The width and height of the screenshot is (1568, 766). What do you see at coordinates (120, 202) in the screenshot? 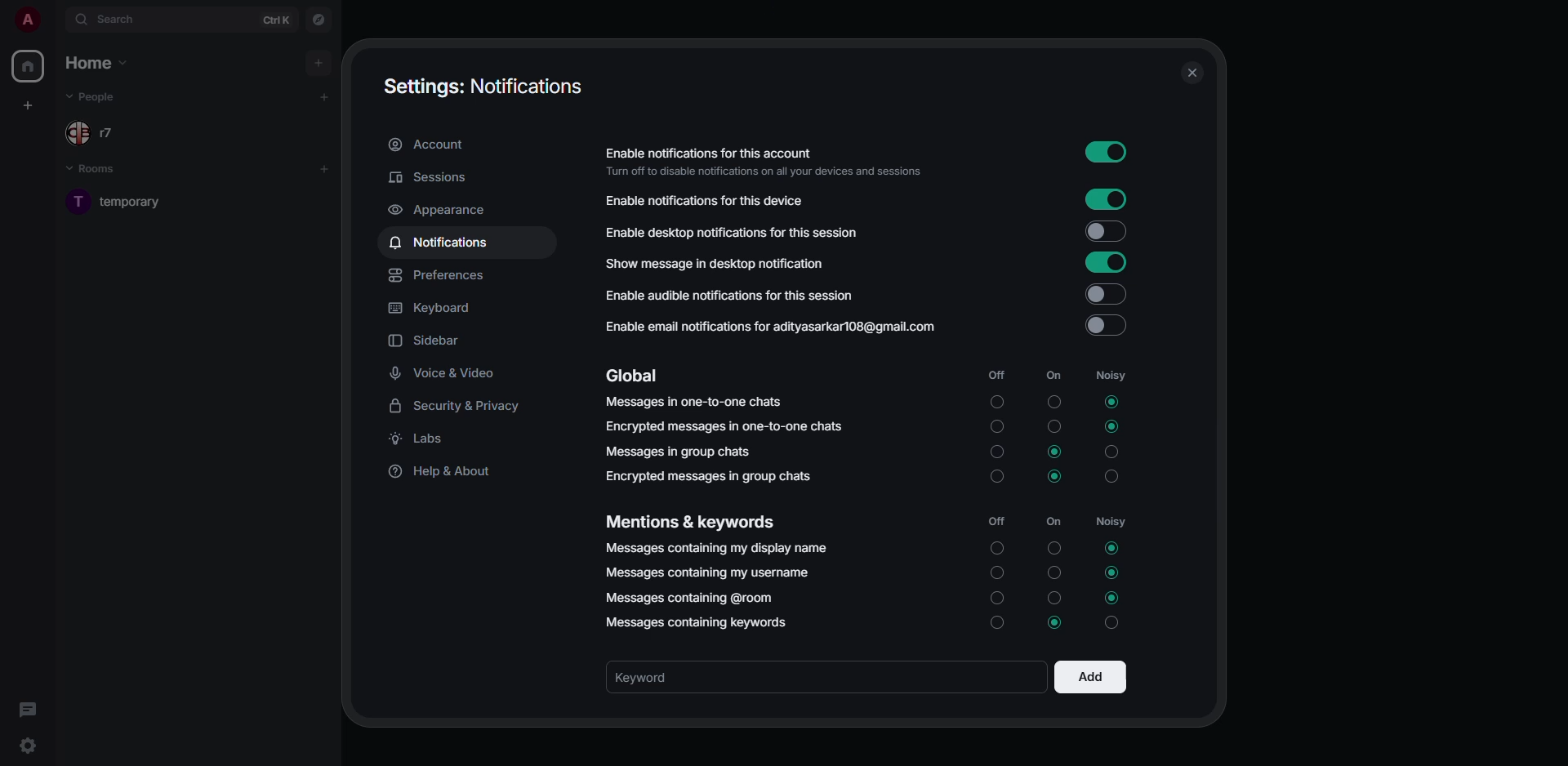
I see `room` at bounding box center [120, 202].